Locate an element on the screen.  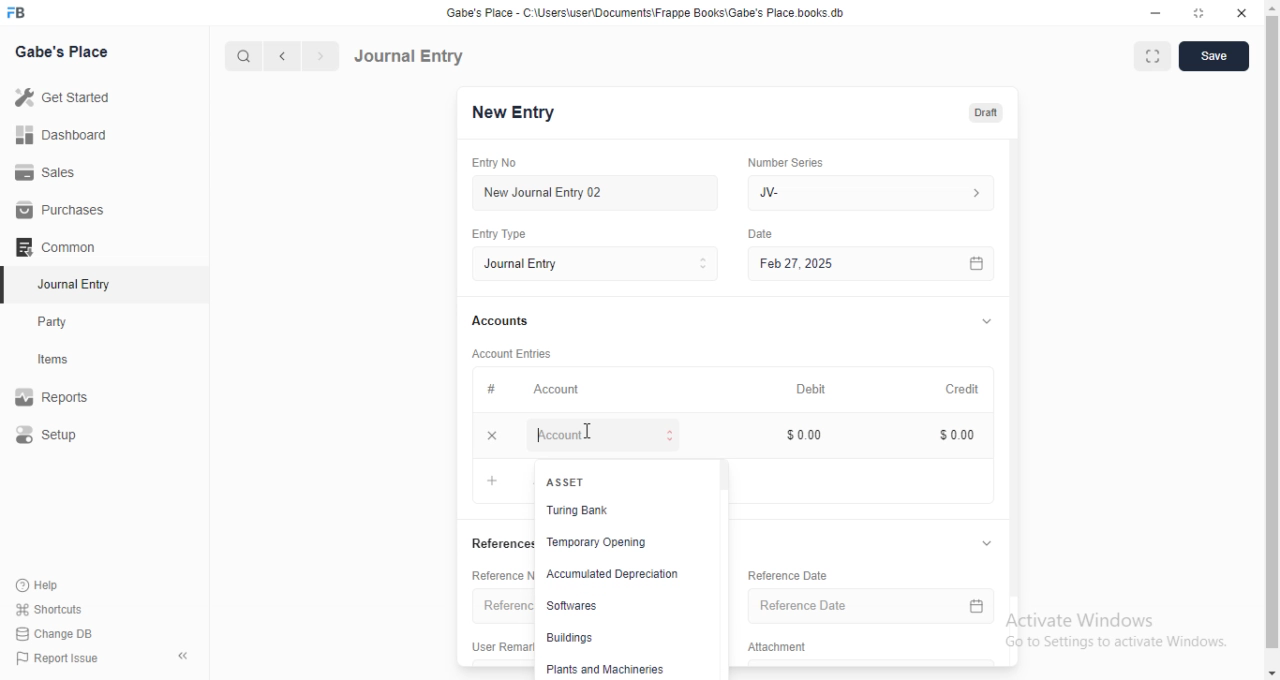
Date is located at coordinates (772, 232).